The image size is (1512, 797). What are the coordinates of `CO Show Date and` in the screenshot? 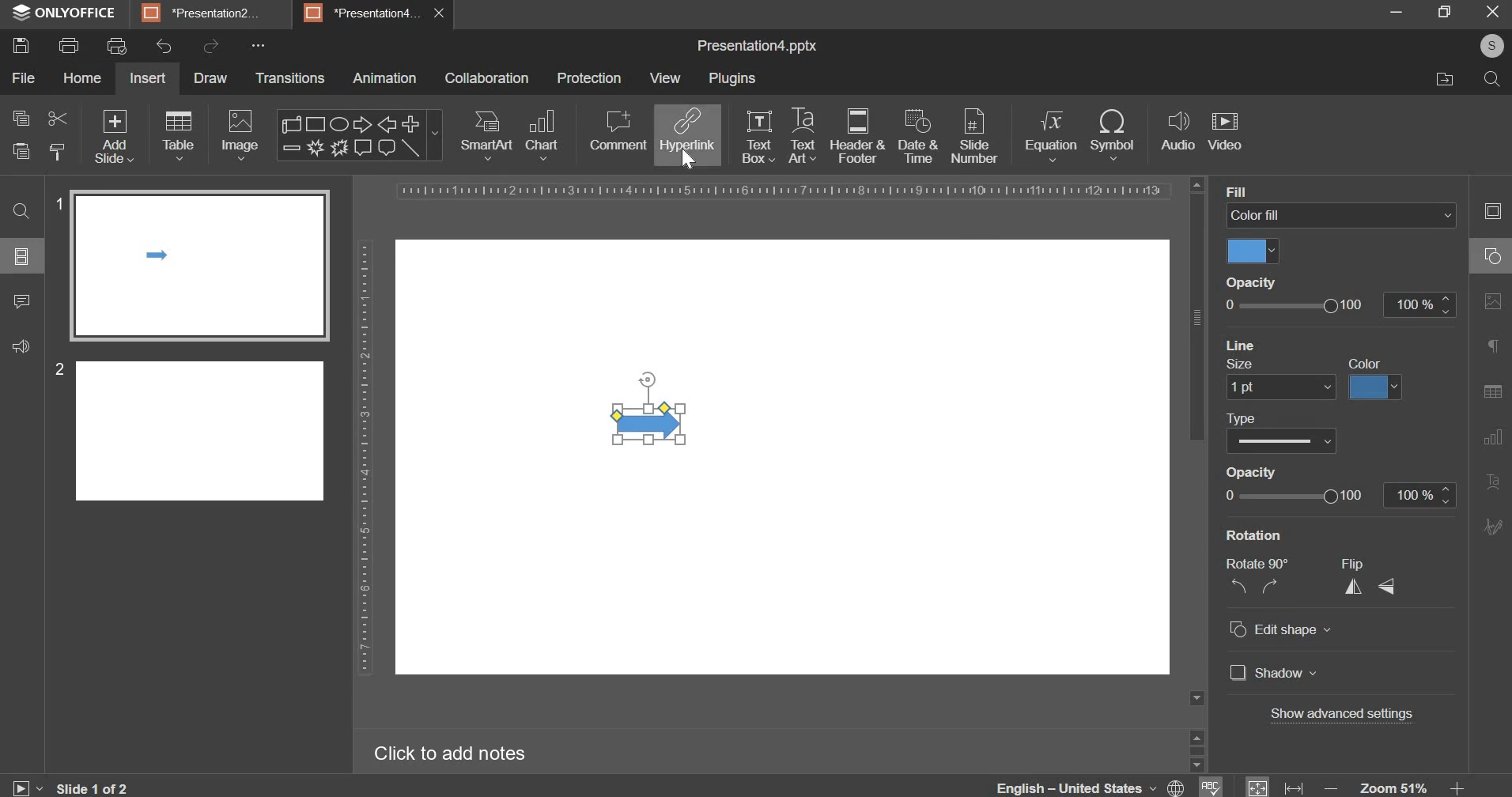 It's located at (1290, 441).